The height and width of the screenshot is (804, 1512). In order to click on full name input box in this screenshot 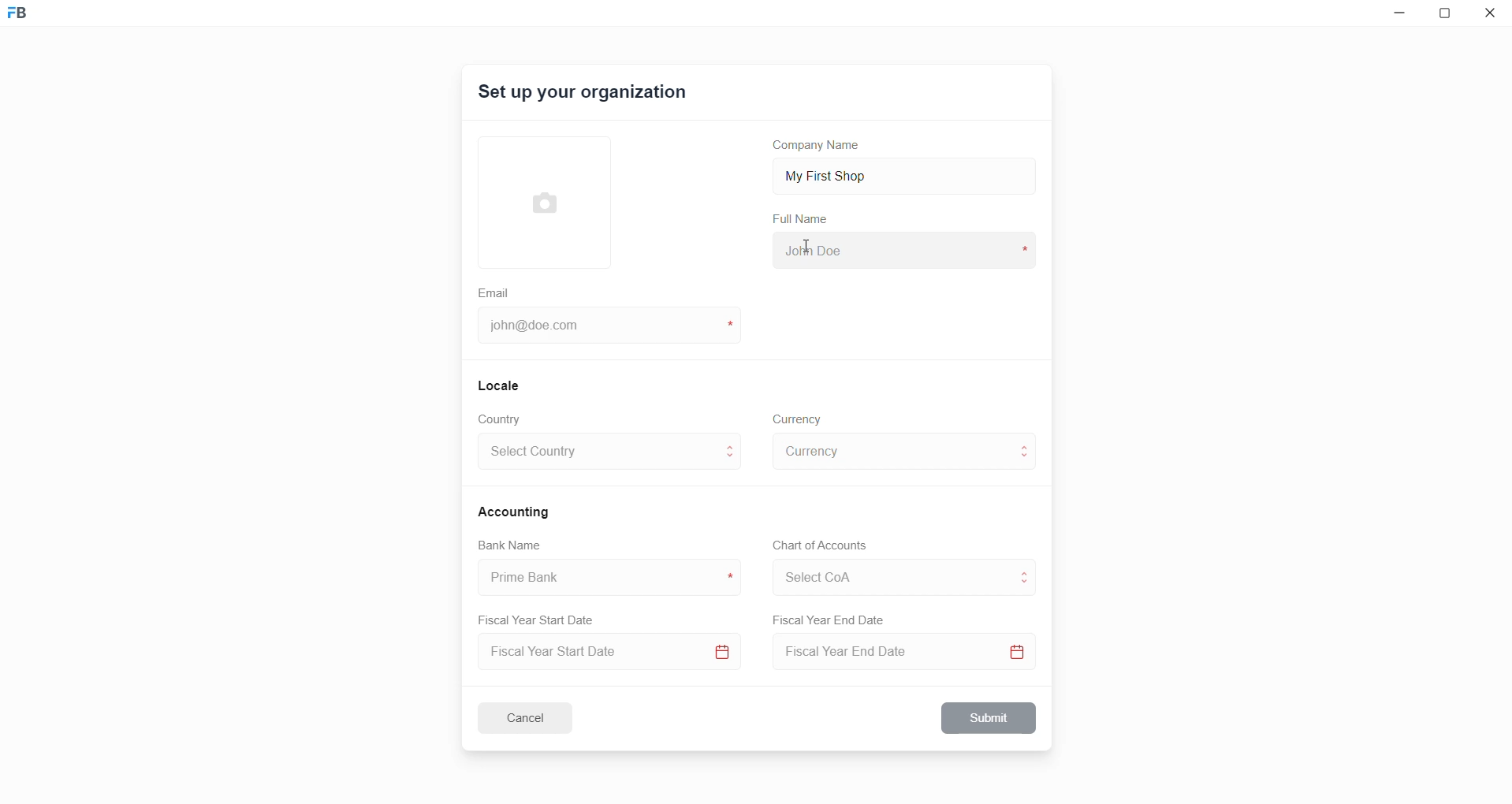, I will do `click(902, 249)`.